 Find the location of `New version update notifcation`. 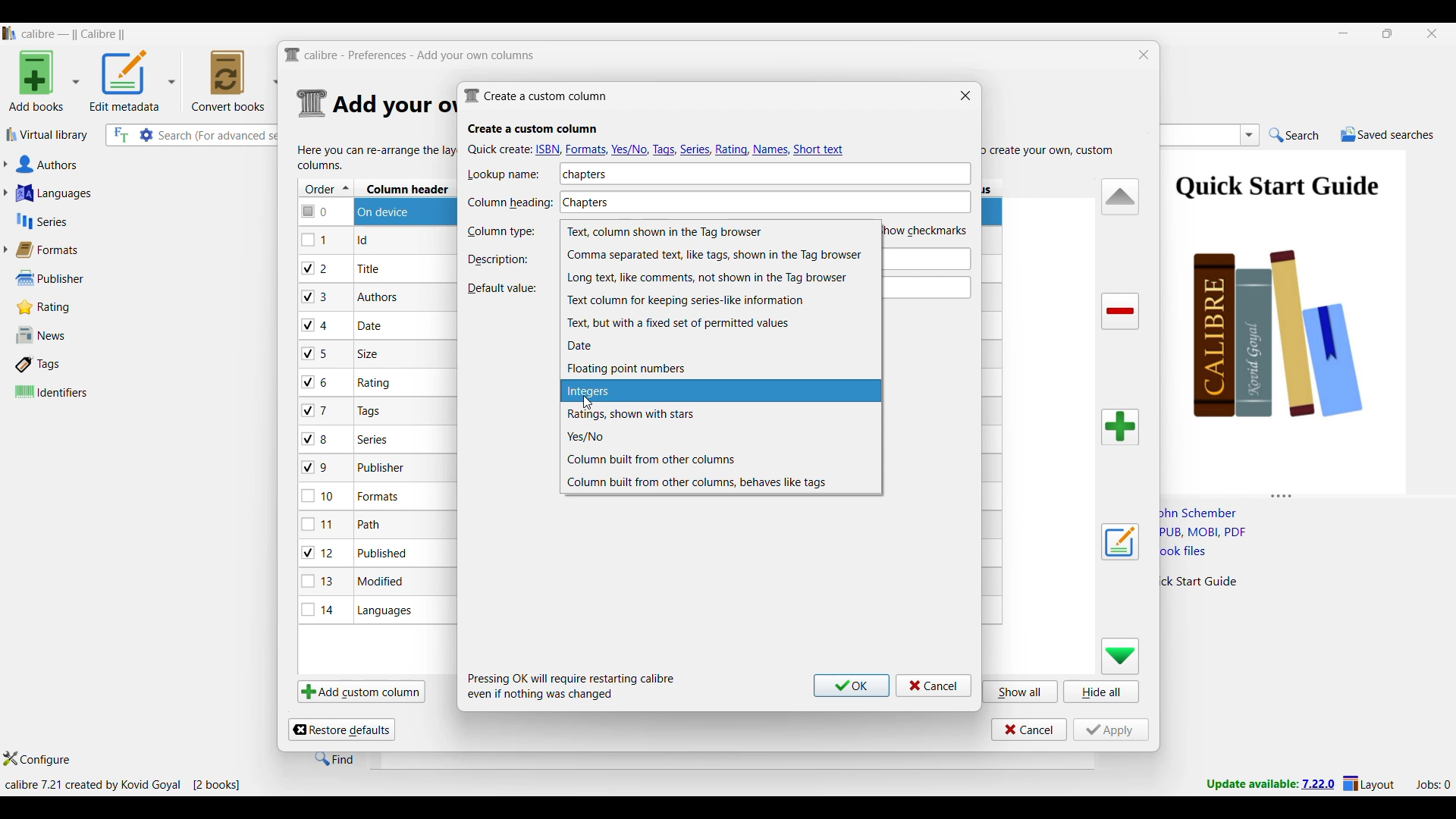

New version update notifcation is located at coordinates (1270, 783).